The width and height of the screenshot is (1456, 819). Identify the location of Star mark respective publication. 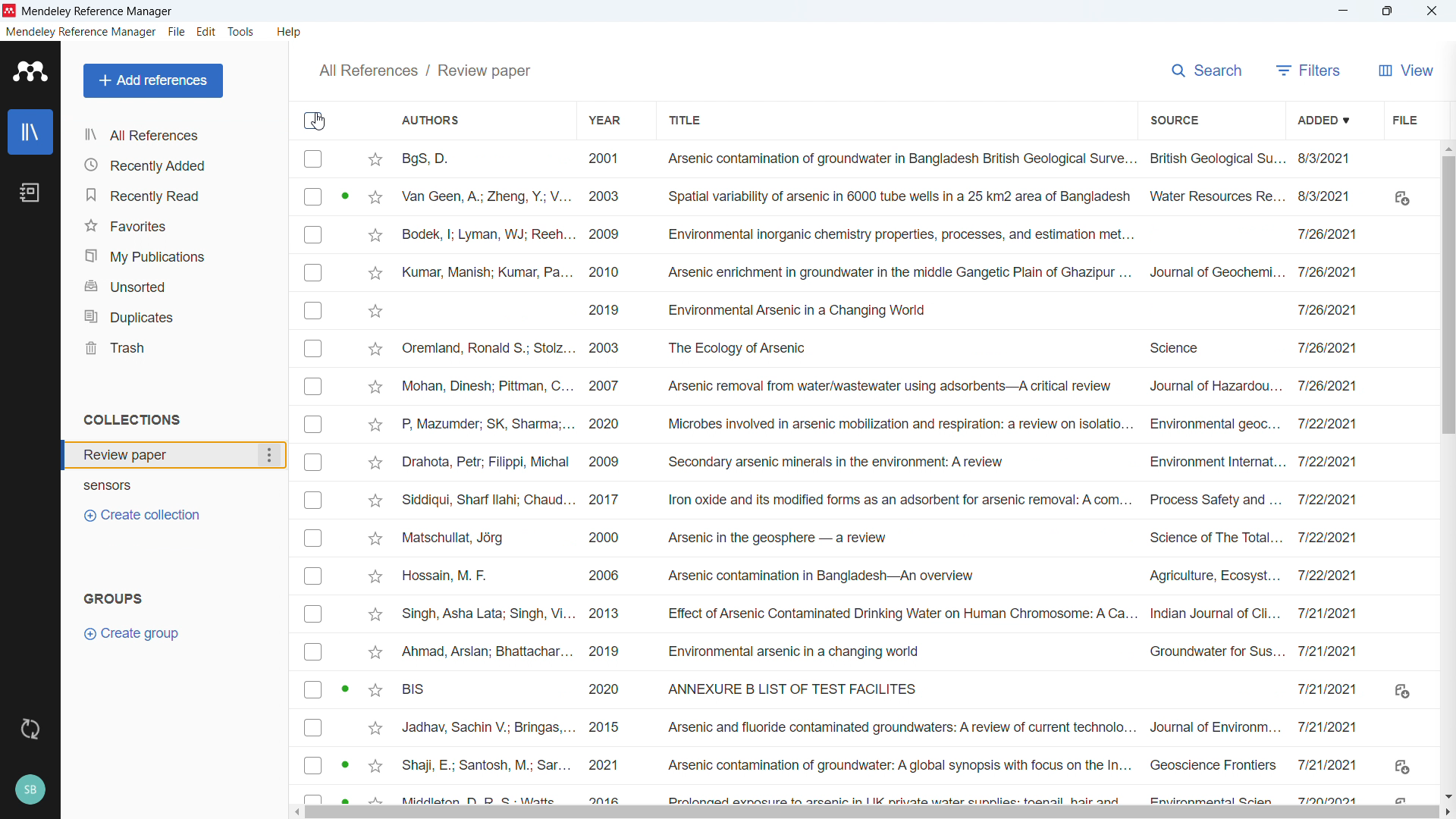
(375, 388).